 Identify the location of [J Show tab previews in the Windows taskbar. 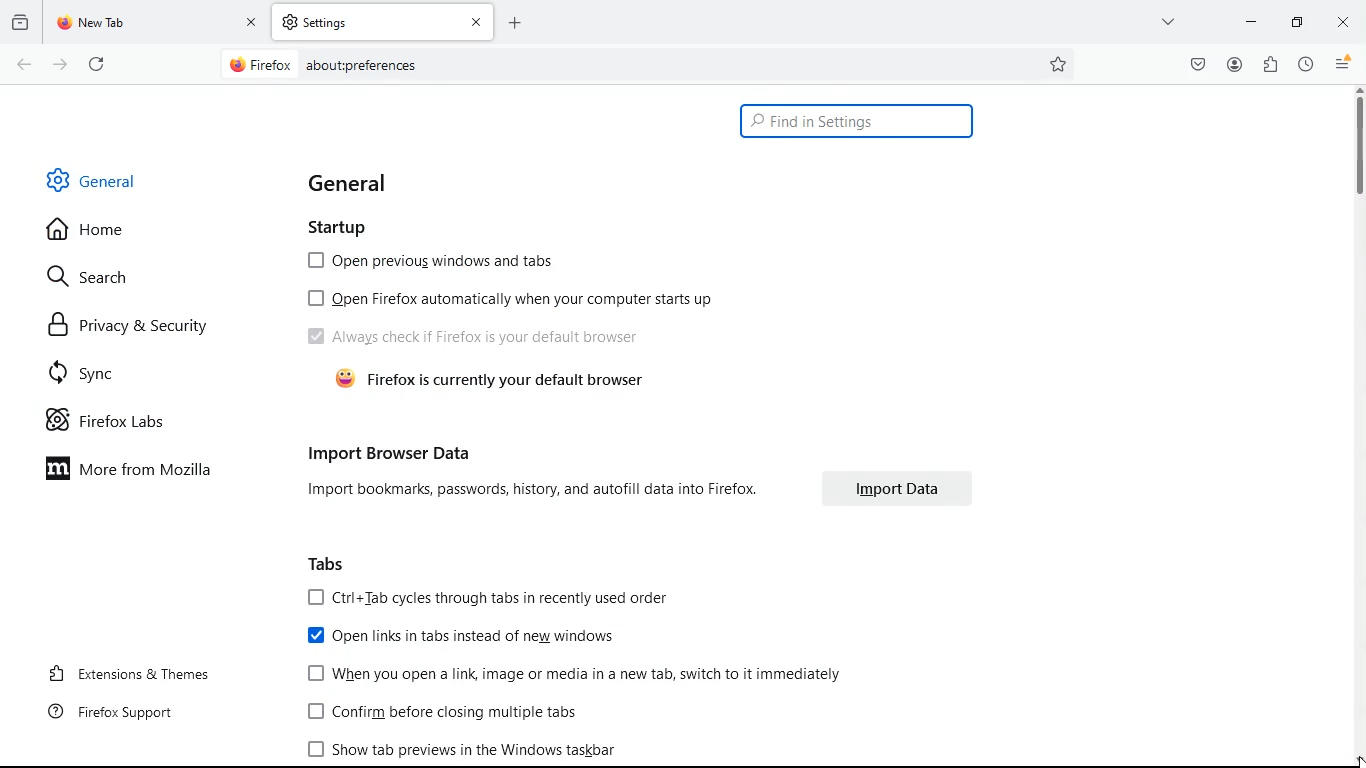
(457, 749).